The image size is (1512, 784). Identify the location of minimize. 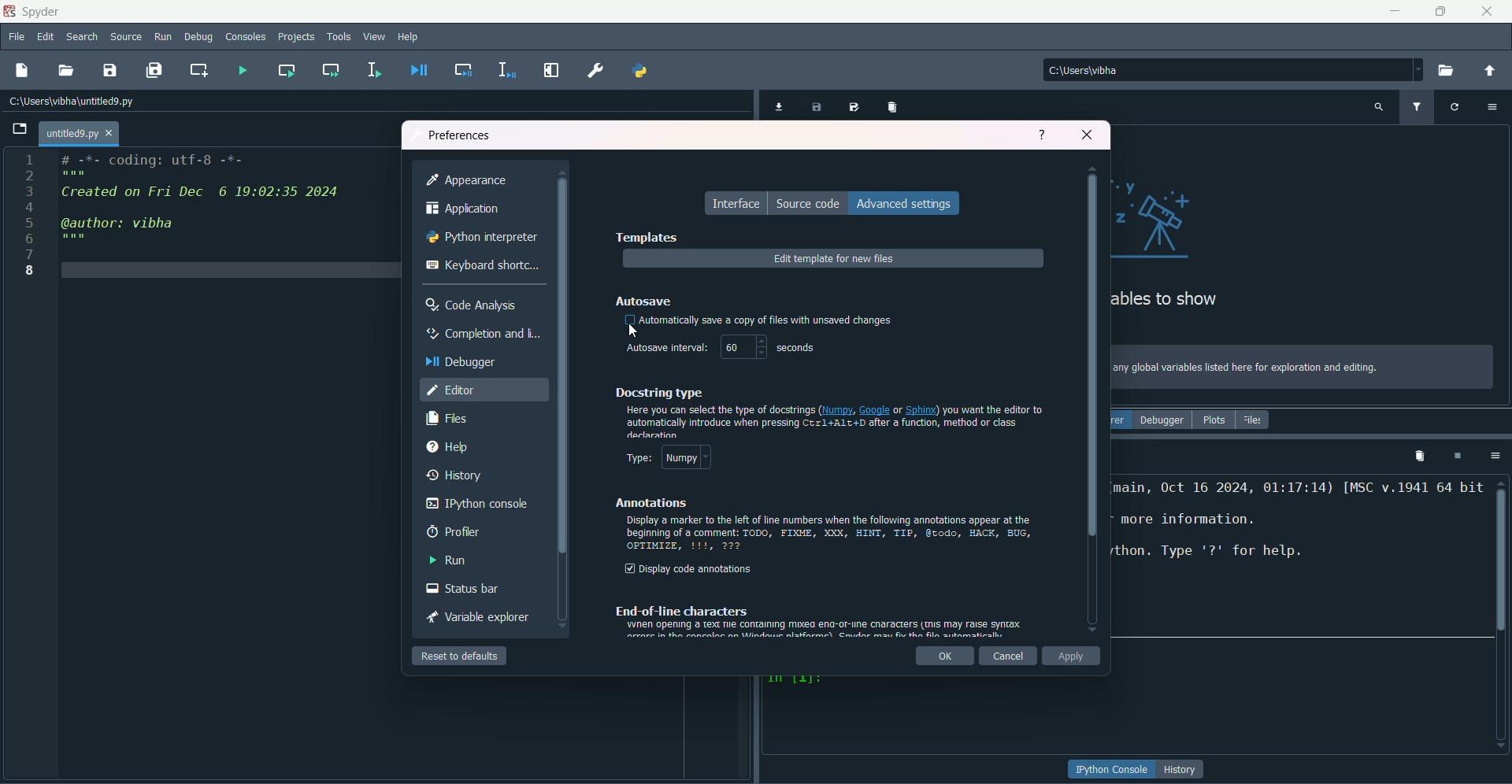
(1395, 11).